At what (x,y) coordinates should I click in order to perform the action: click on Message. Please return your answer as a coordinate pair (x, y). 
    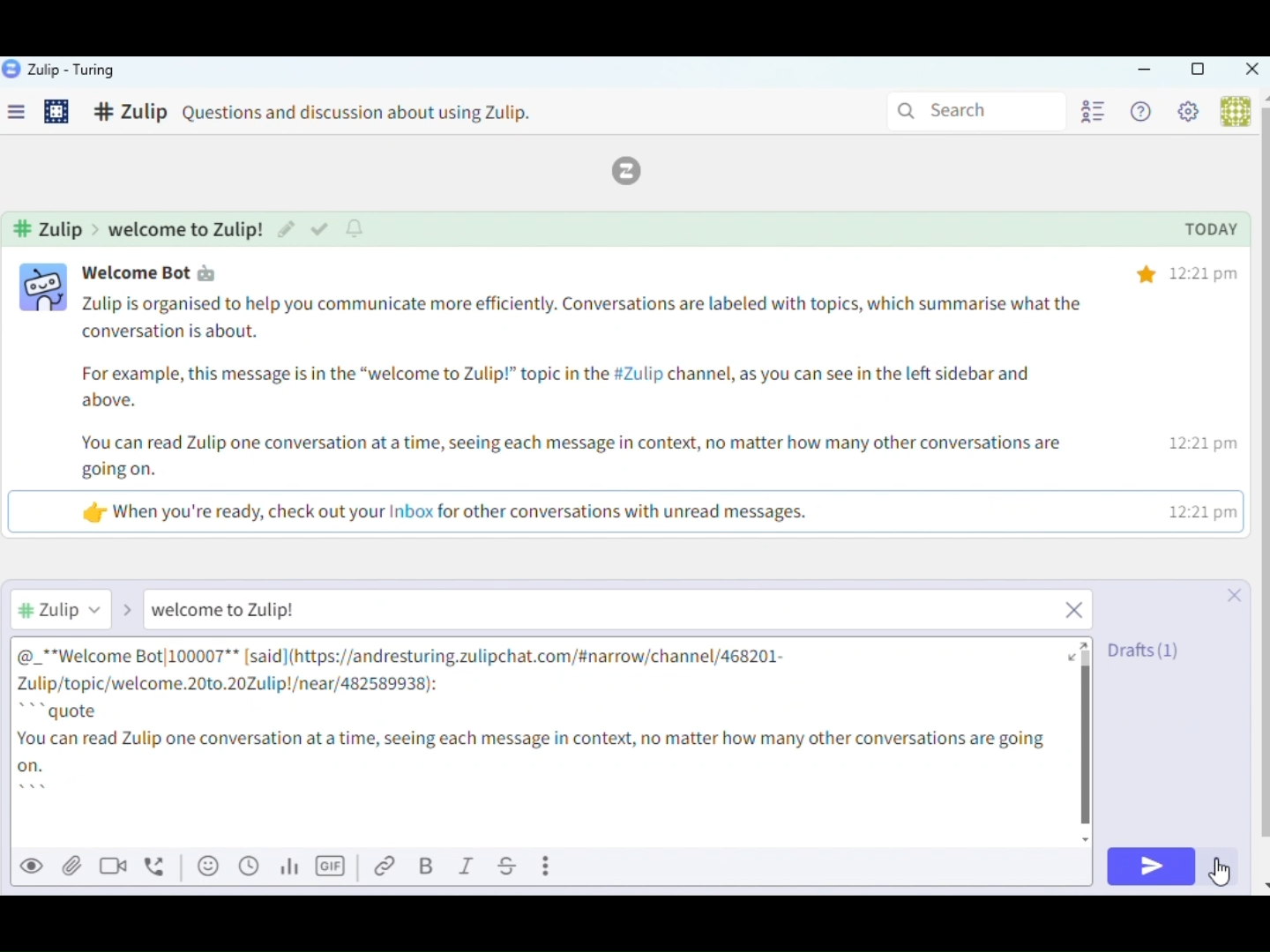
    Looking at the image, I should click on (622, 612).